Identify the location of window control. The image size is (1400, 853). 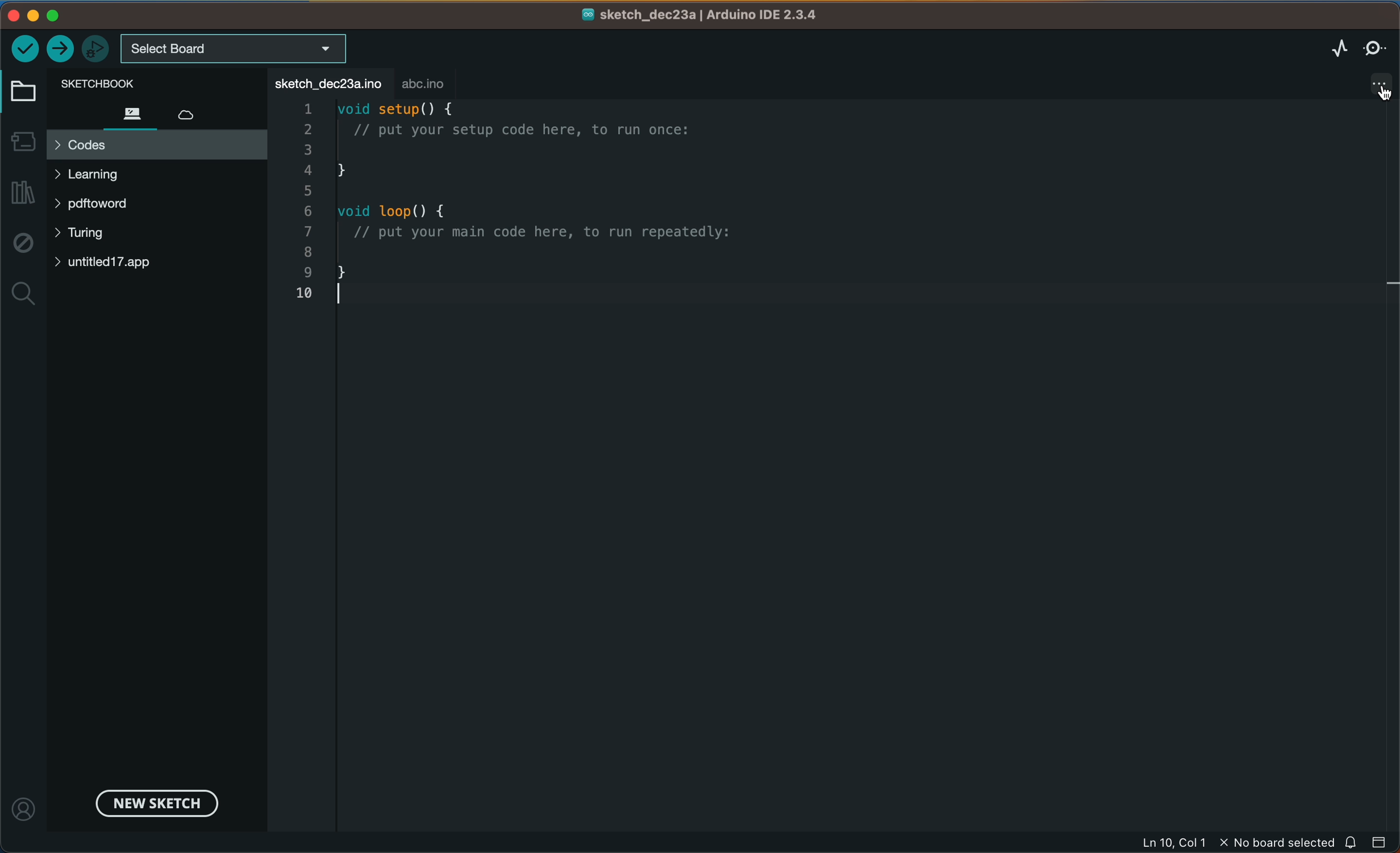
(52, 15).